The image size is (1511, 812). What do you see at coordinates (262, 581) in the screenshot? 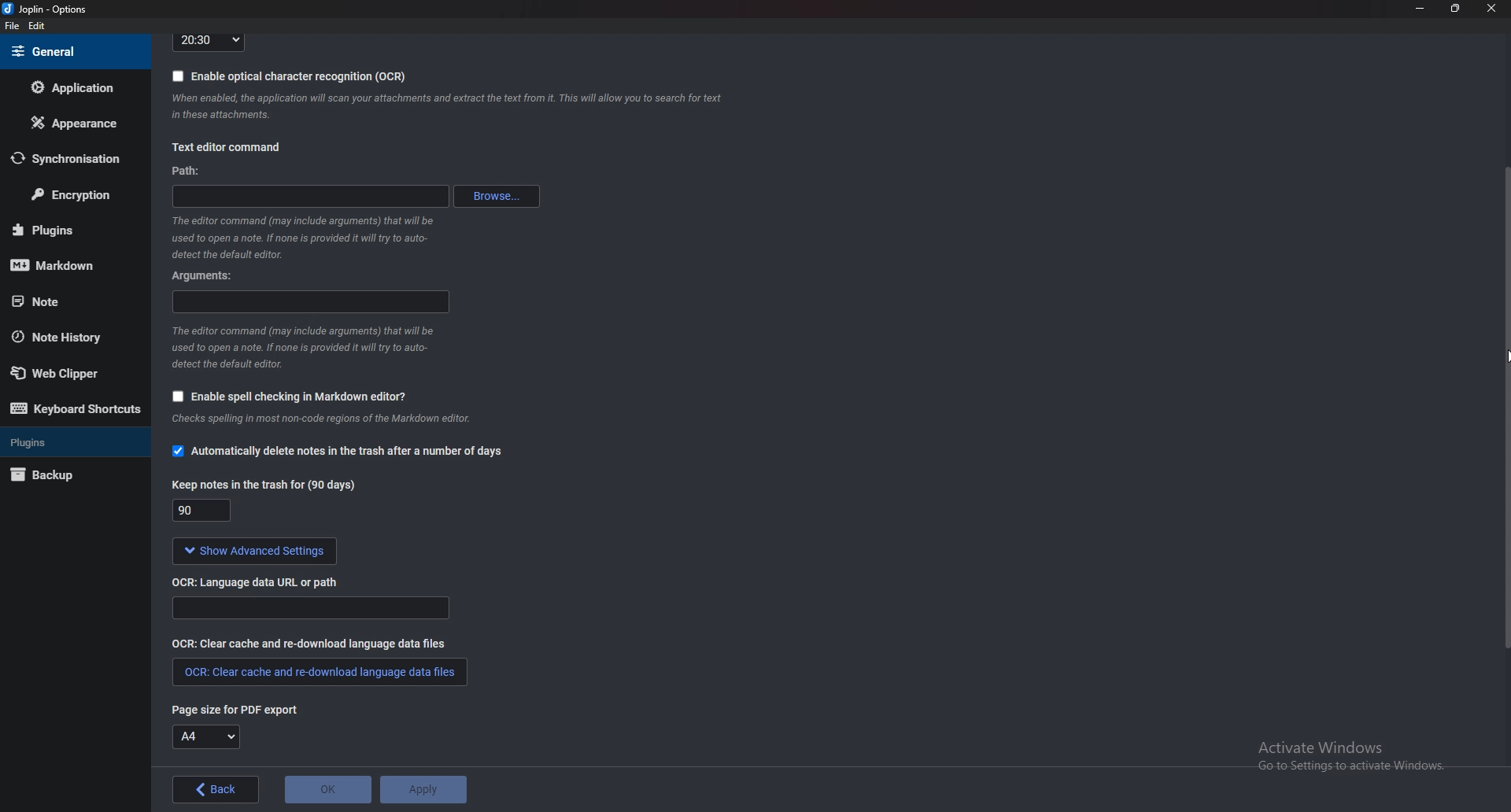
I see `O C R` at bounding box center [262, 581].